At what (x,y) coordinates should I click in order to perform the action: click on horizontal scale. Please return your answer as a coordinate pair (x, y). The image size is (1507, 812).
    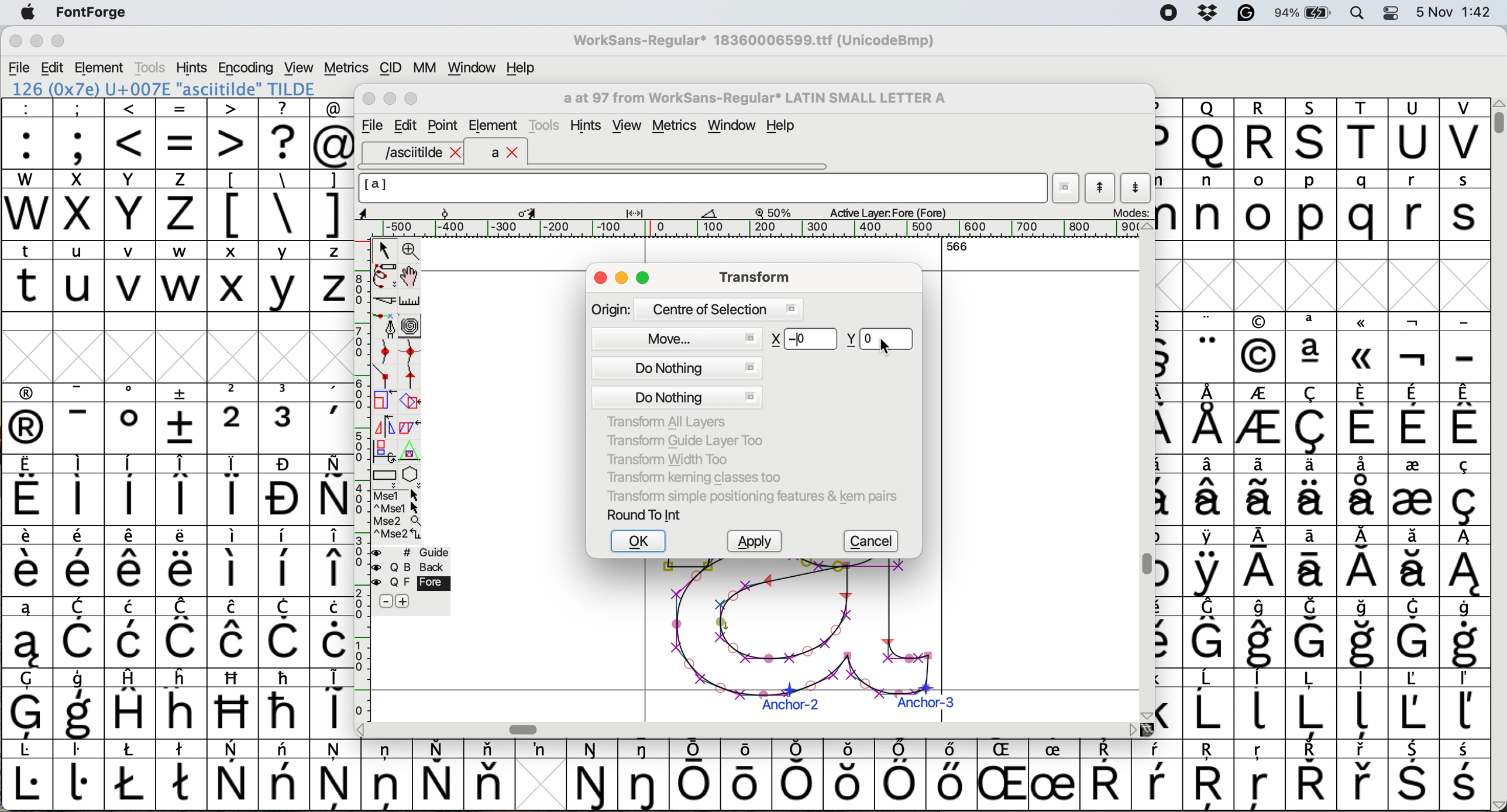
    Looking at the image, I should click on (761, 229).